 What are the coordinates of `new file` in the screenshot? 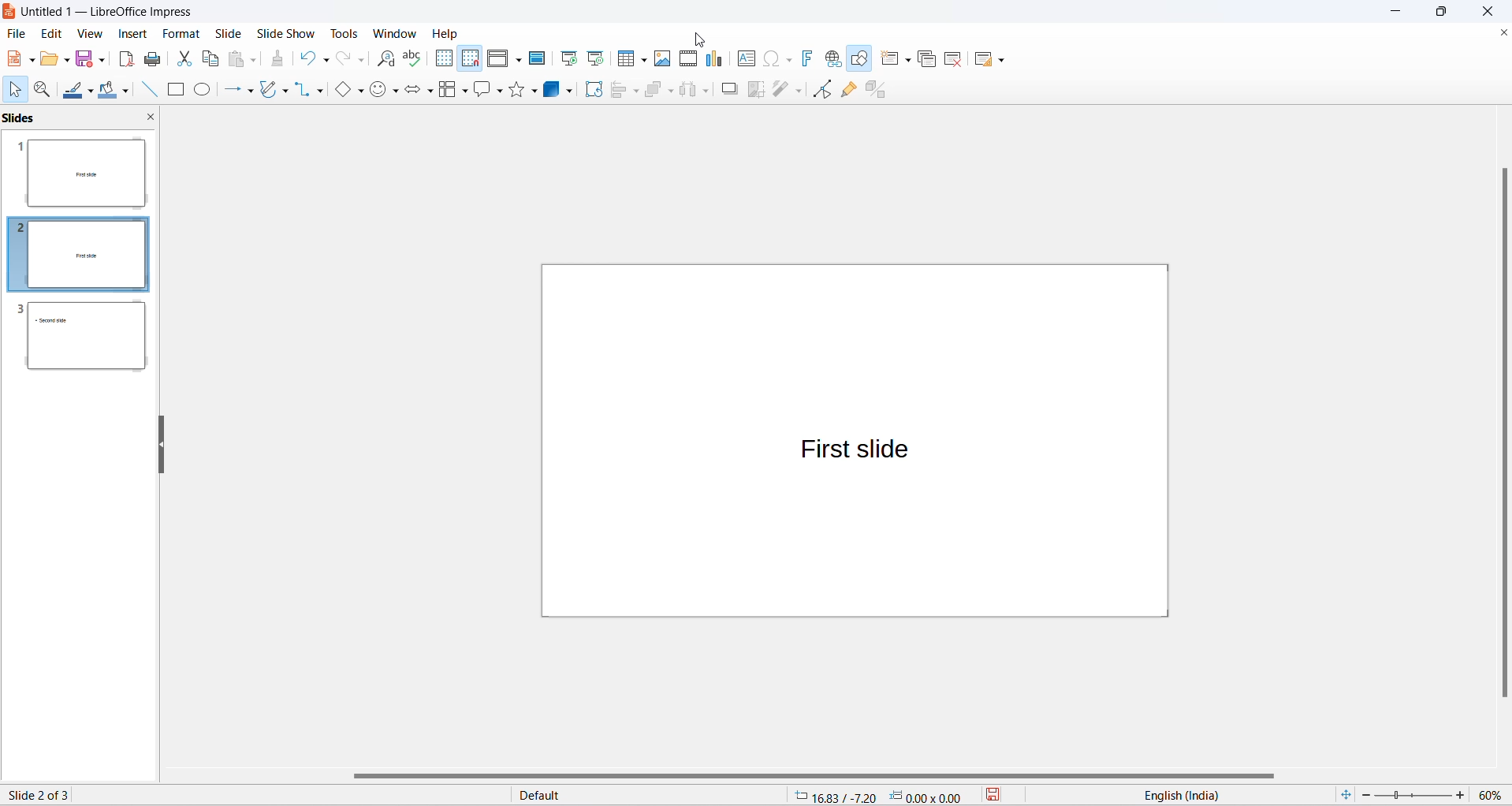 It's located at (12, 58).